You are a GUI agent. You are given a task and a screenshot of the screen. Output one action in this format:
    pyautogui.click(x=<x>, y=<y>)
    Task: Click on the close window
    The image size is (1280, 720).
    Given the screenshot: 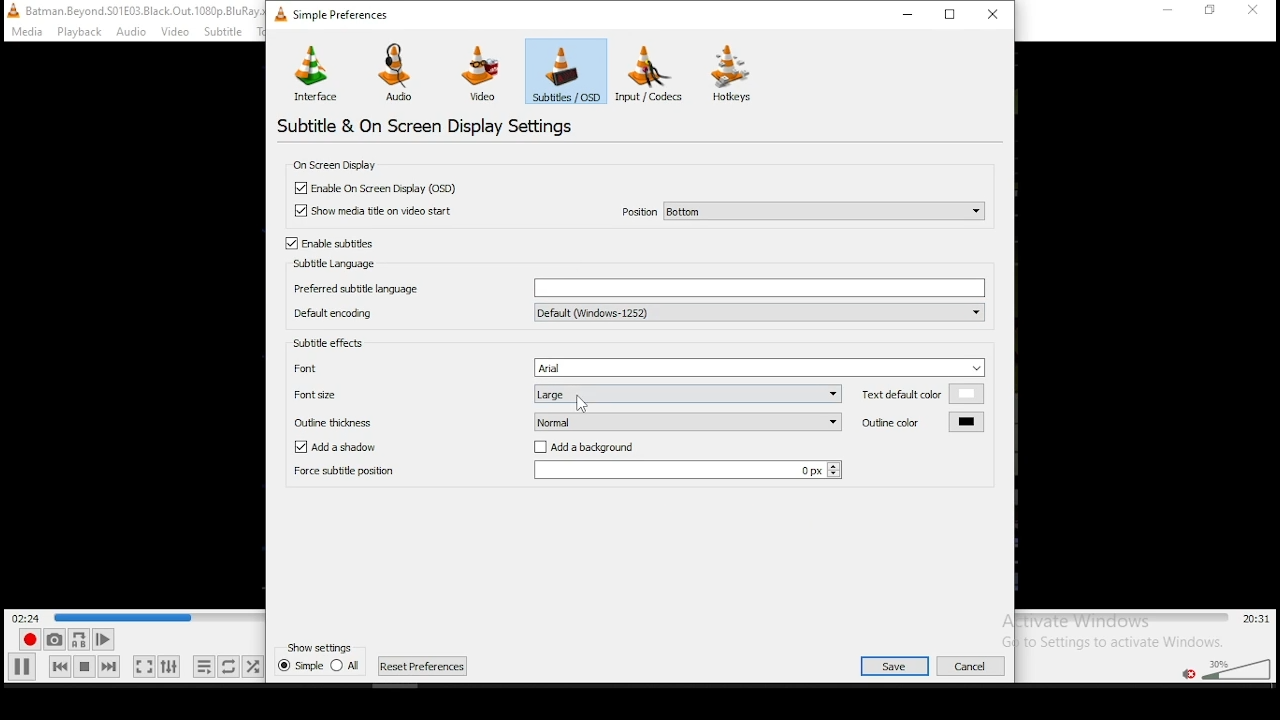 What is the action you would take?
    pyautogui.click(x=1255, y=12)
    